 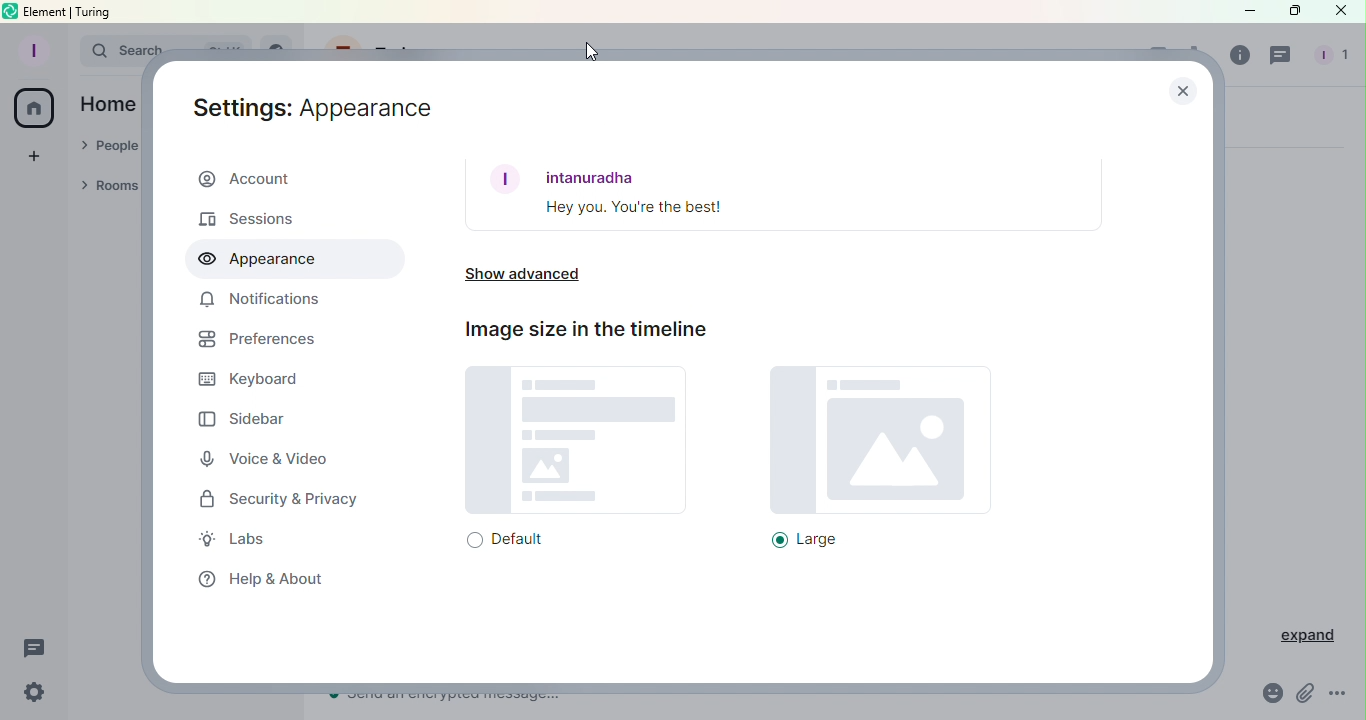 I want to click on Home, so click(x=108, y=103).